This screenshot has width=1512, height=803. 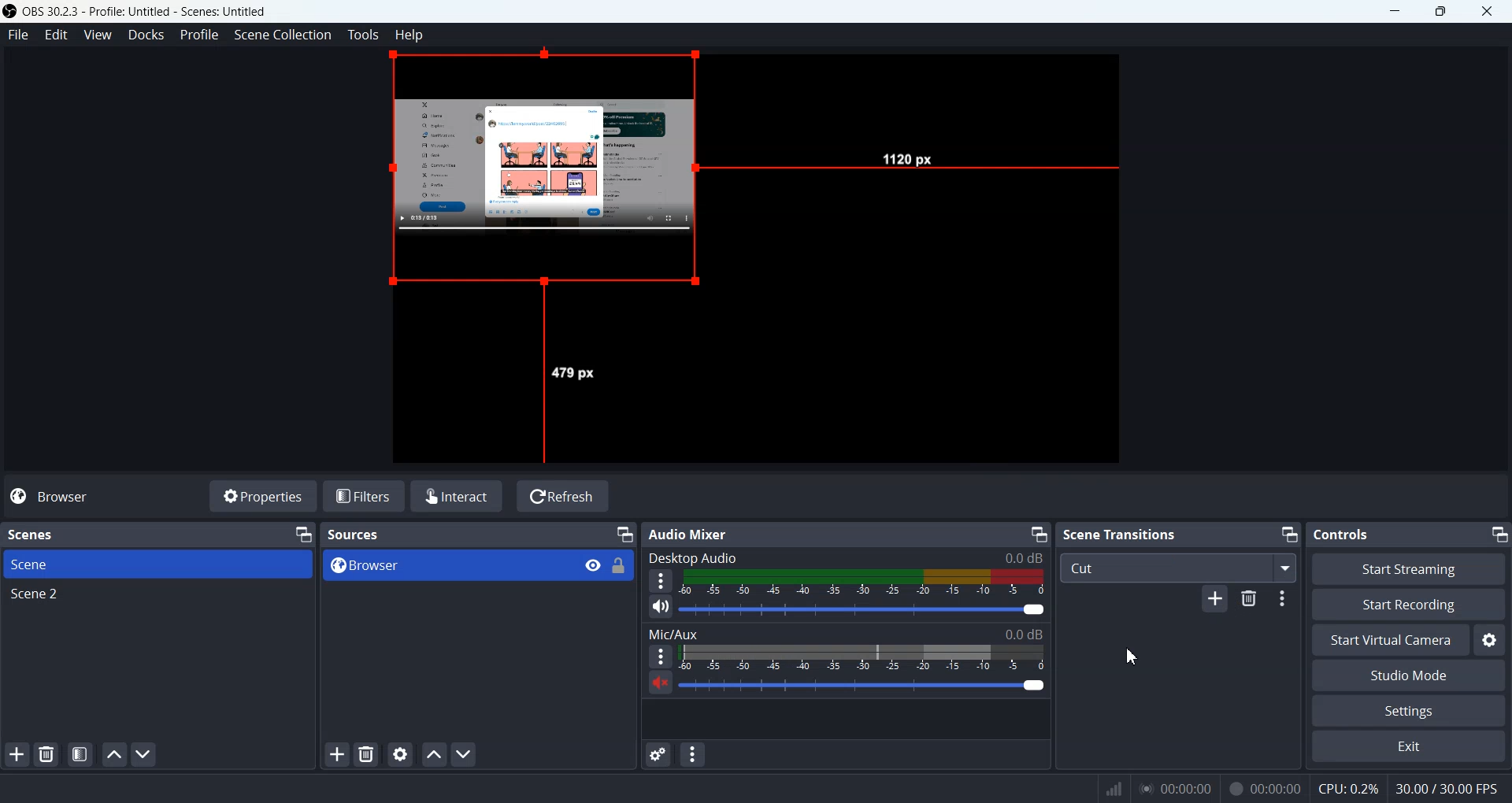 I want to click on Start Virtual Camera, so click(x=1389, y=640).